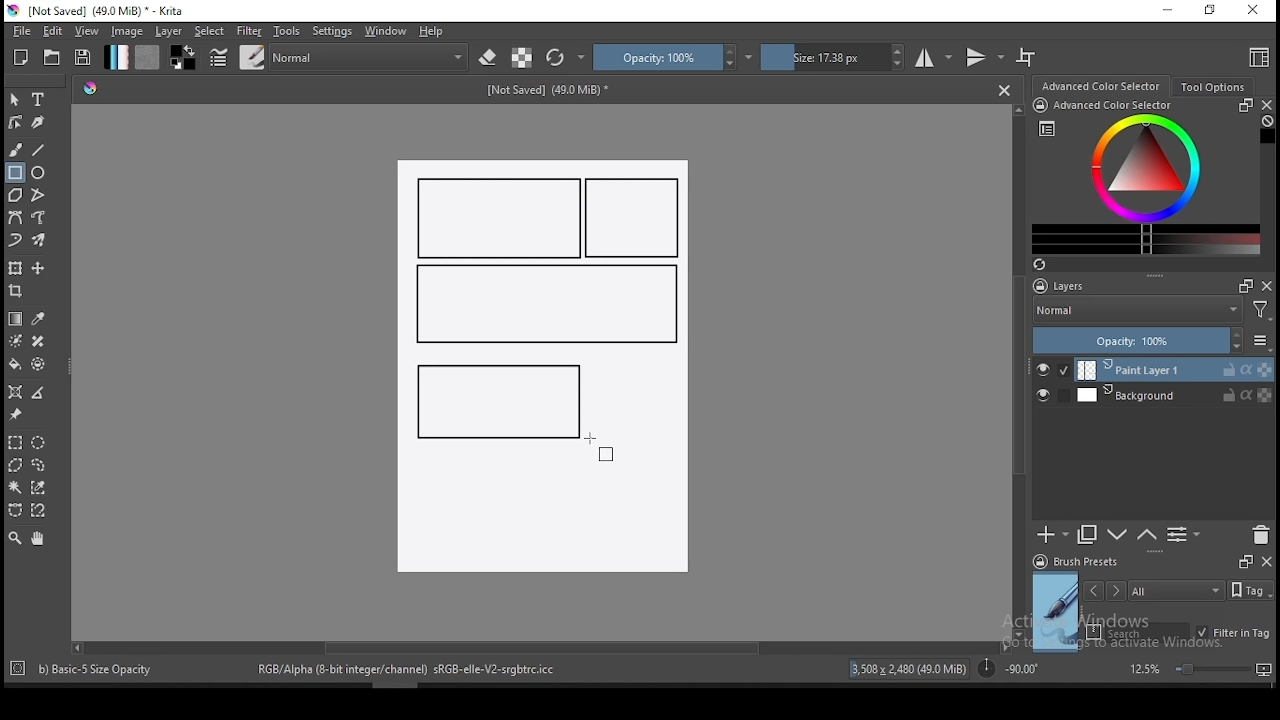  What do you see at coordinates (17, 149) in the screenshot?
I see `brush tool` at bounding box center [17, 149].